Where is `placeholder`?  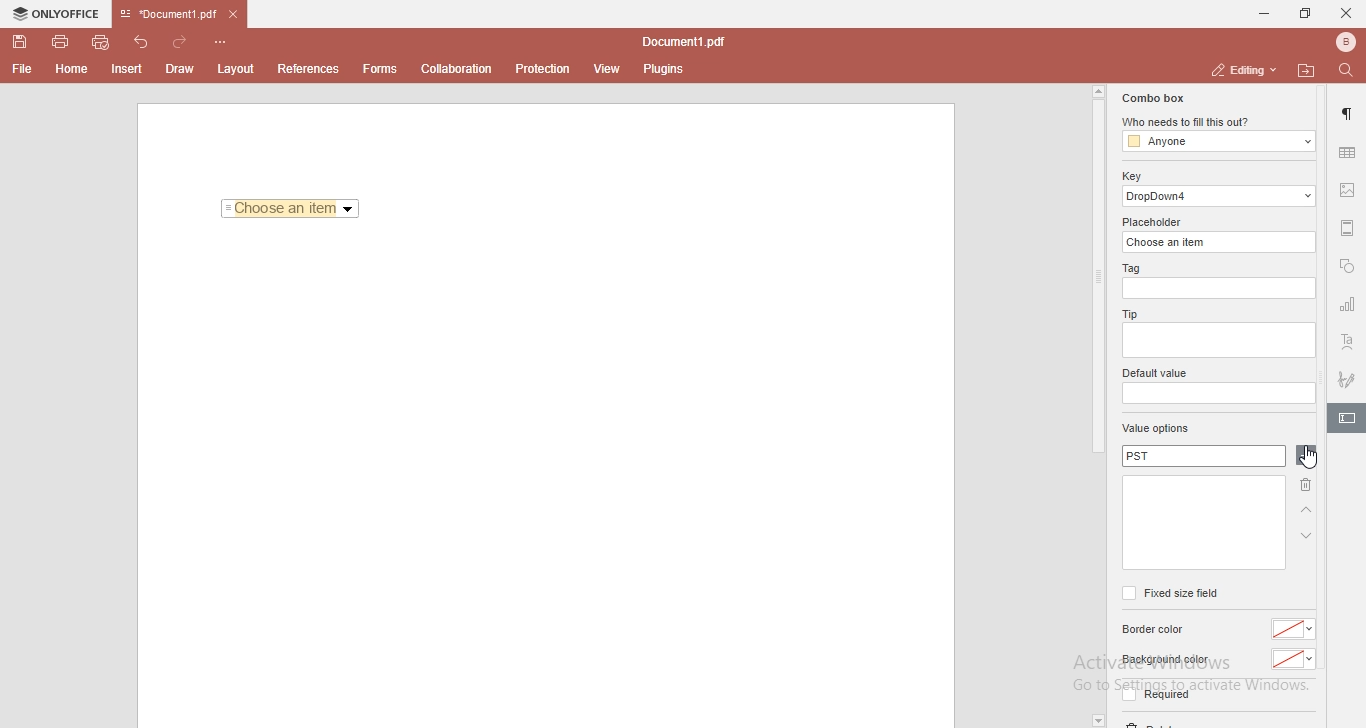
placeholder is located at coordinates (1155, 222).